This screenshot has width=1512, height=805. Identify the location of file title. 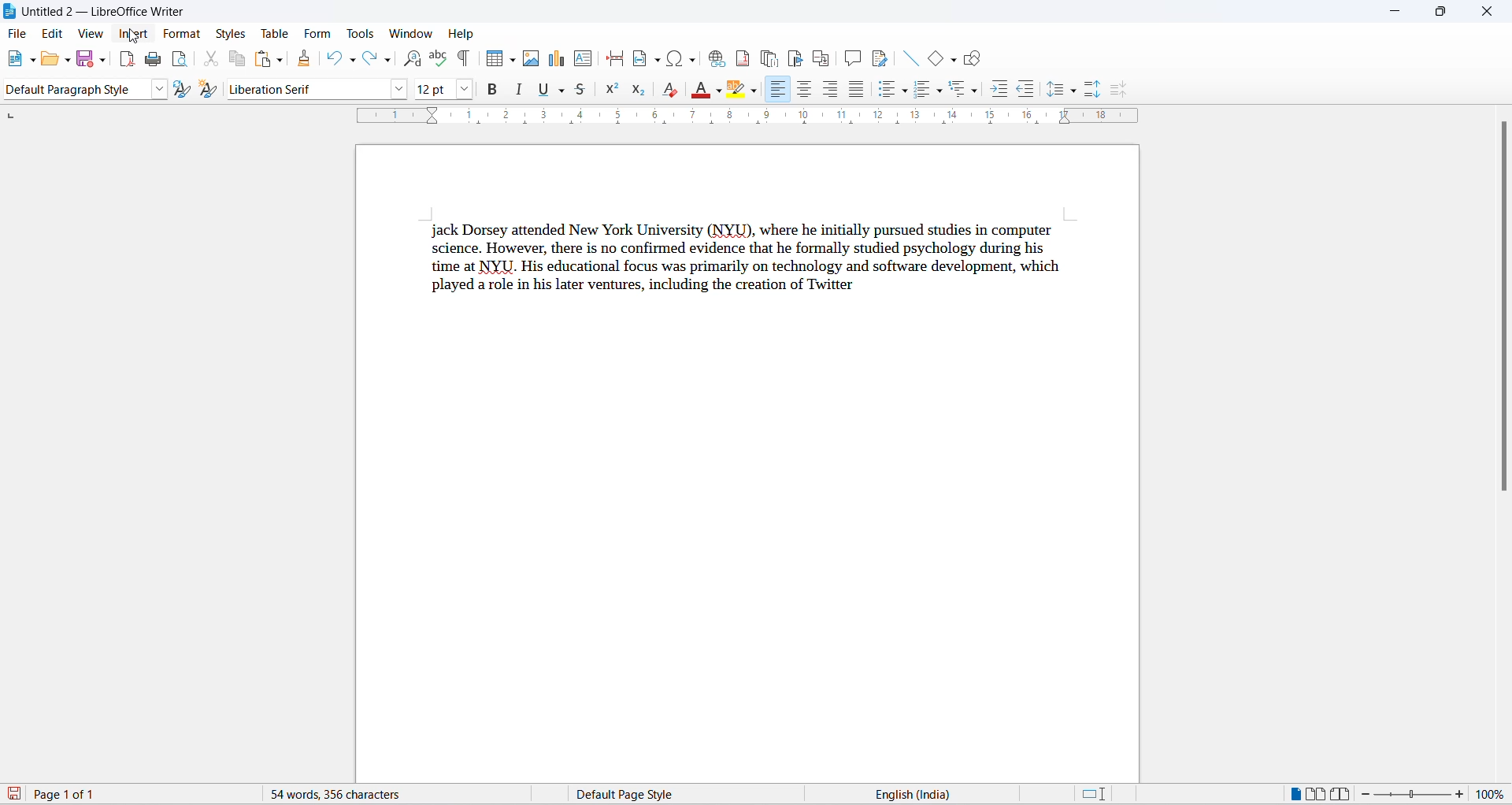
(106, 12).